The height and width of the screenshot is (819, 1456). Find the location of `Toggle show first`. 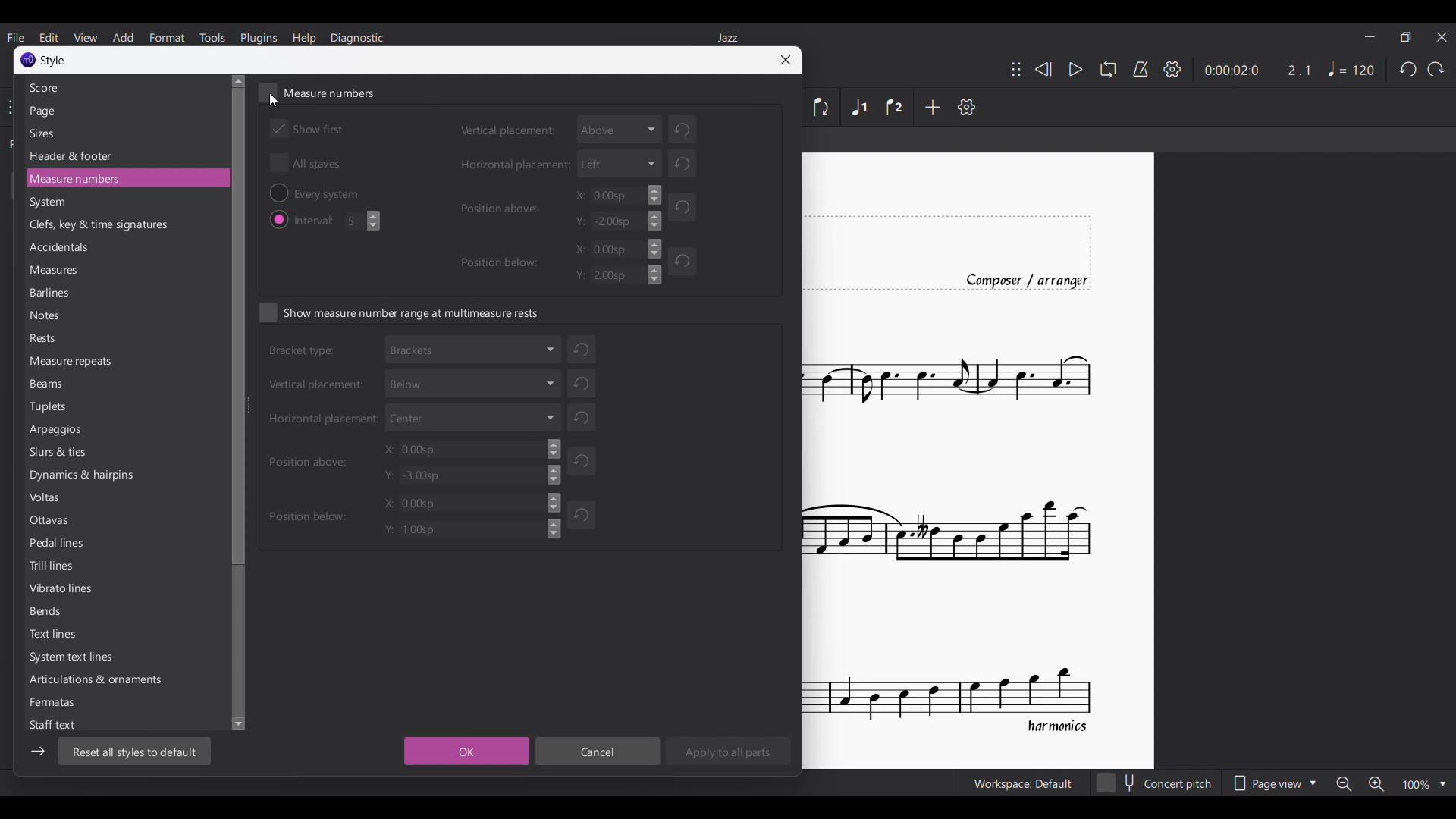

Toggle show first is located at coordinates (307, 129).